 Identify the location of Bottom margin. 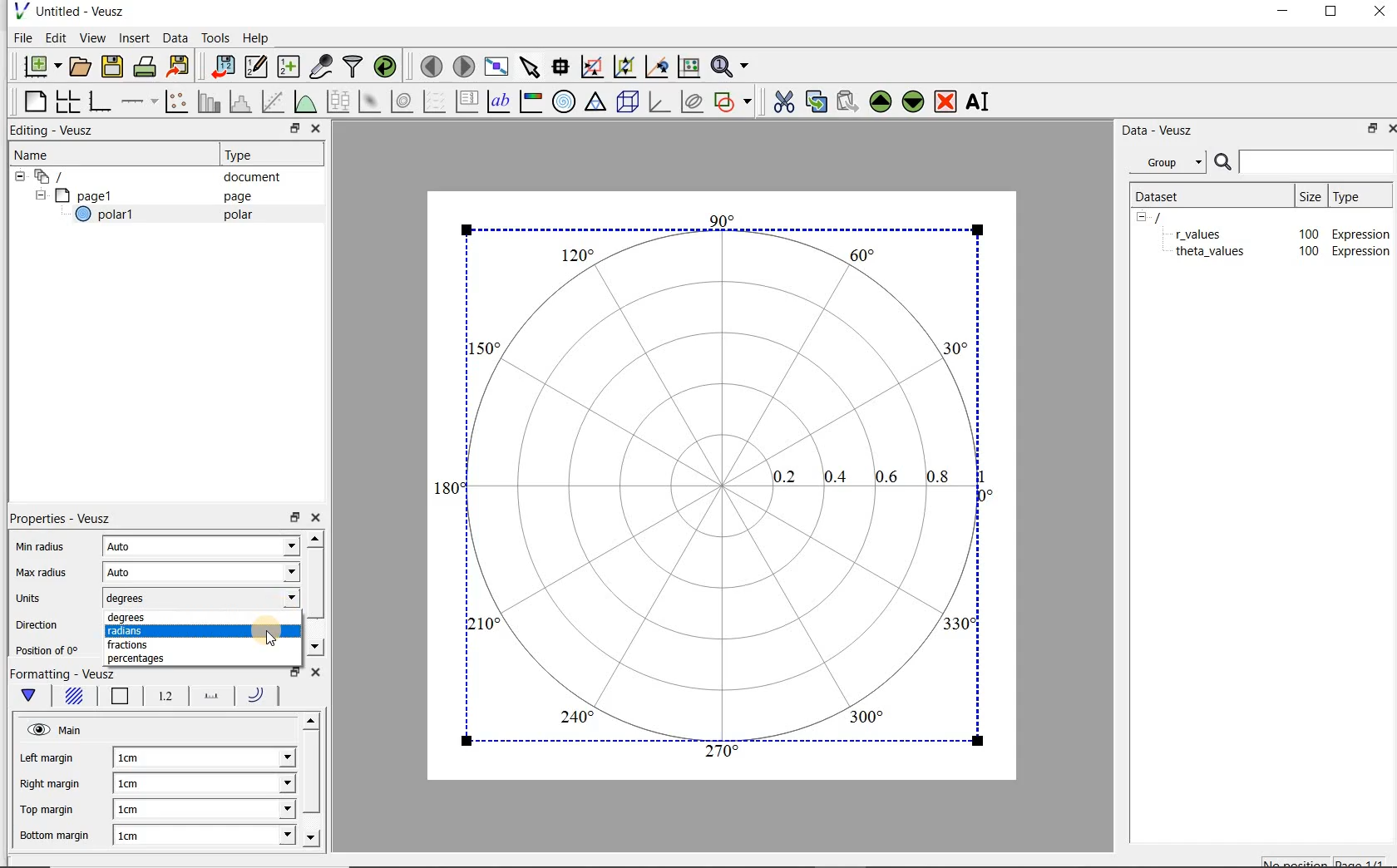
(57, 836).